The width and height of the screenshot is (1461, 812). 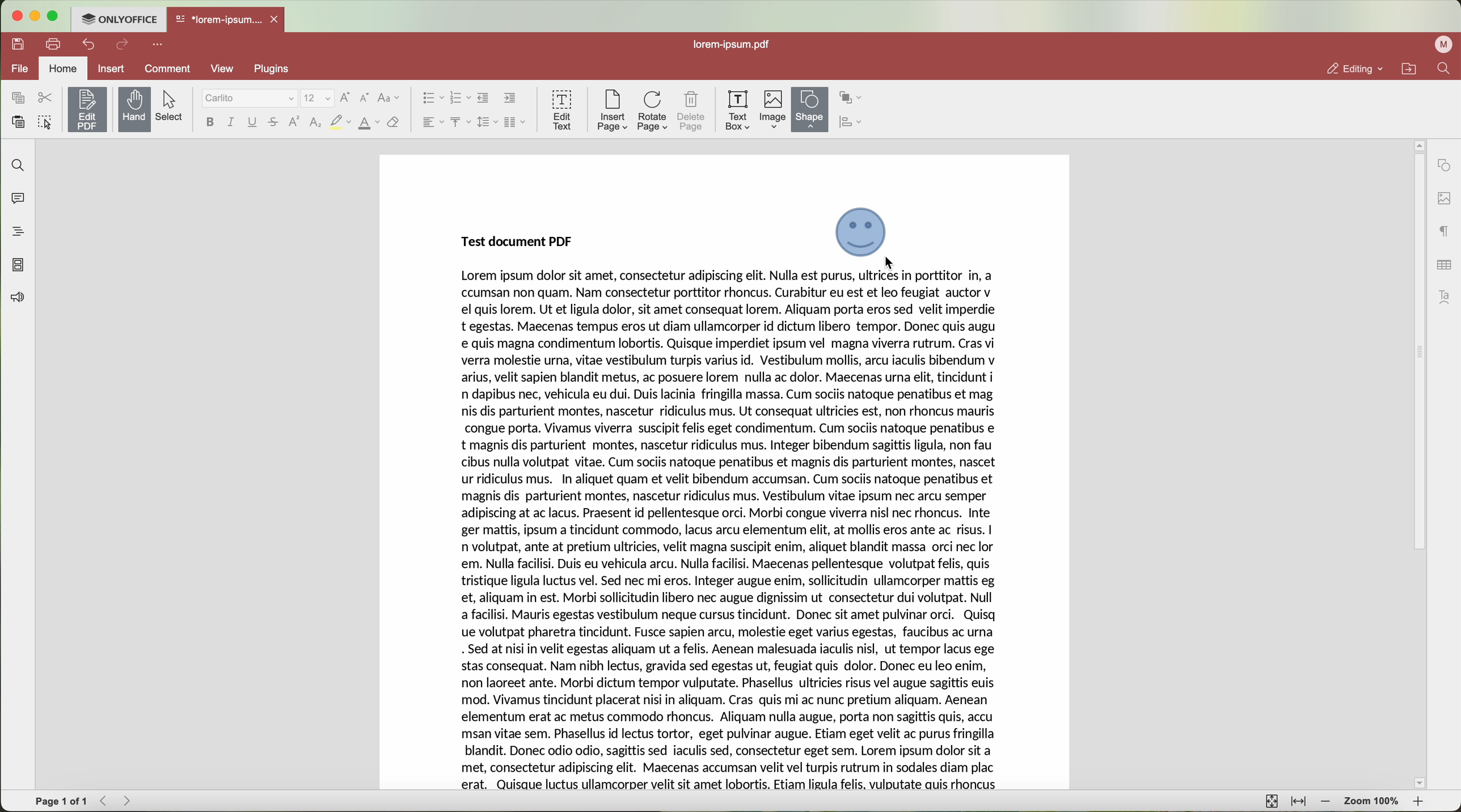 What do you see at coordinates (854, 96) in the screenshot?
I see `arrange shape` at bounding box center [854, 96].